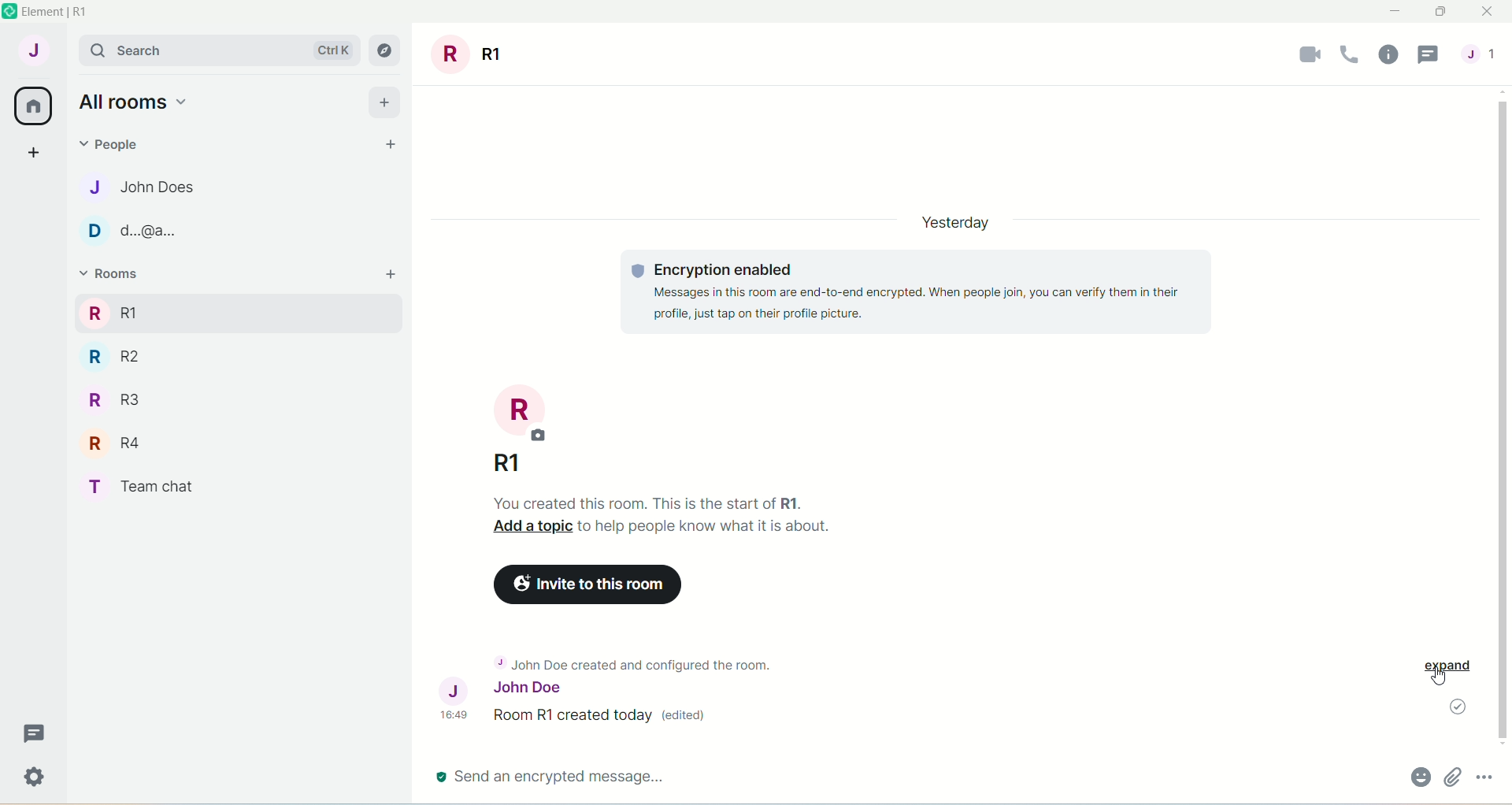  I want to click on R1, so click(469, 50).